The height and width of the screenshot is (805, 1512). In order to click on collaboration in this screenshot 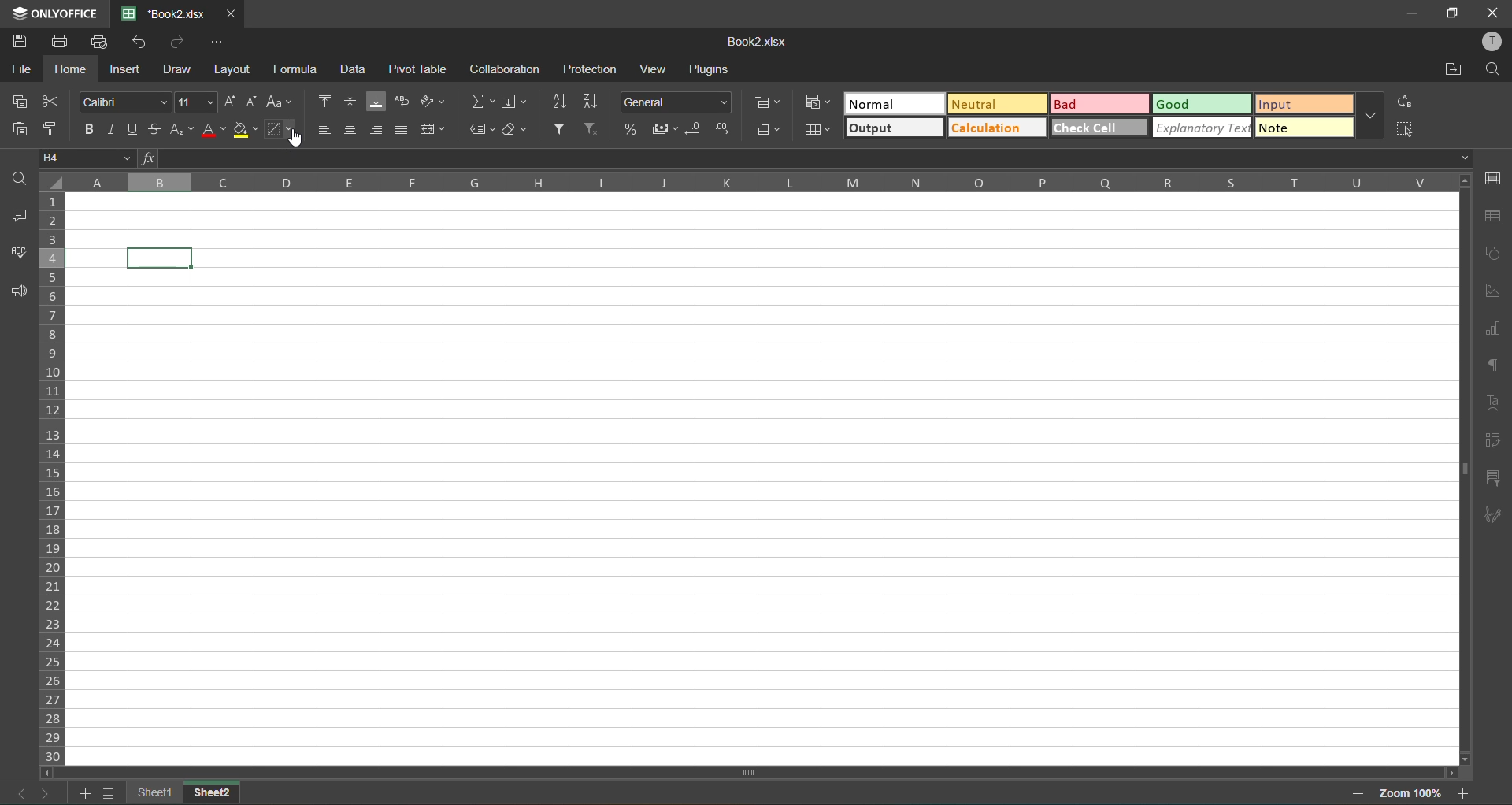, I will do `click(510, 69)`.